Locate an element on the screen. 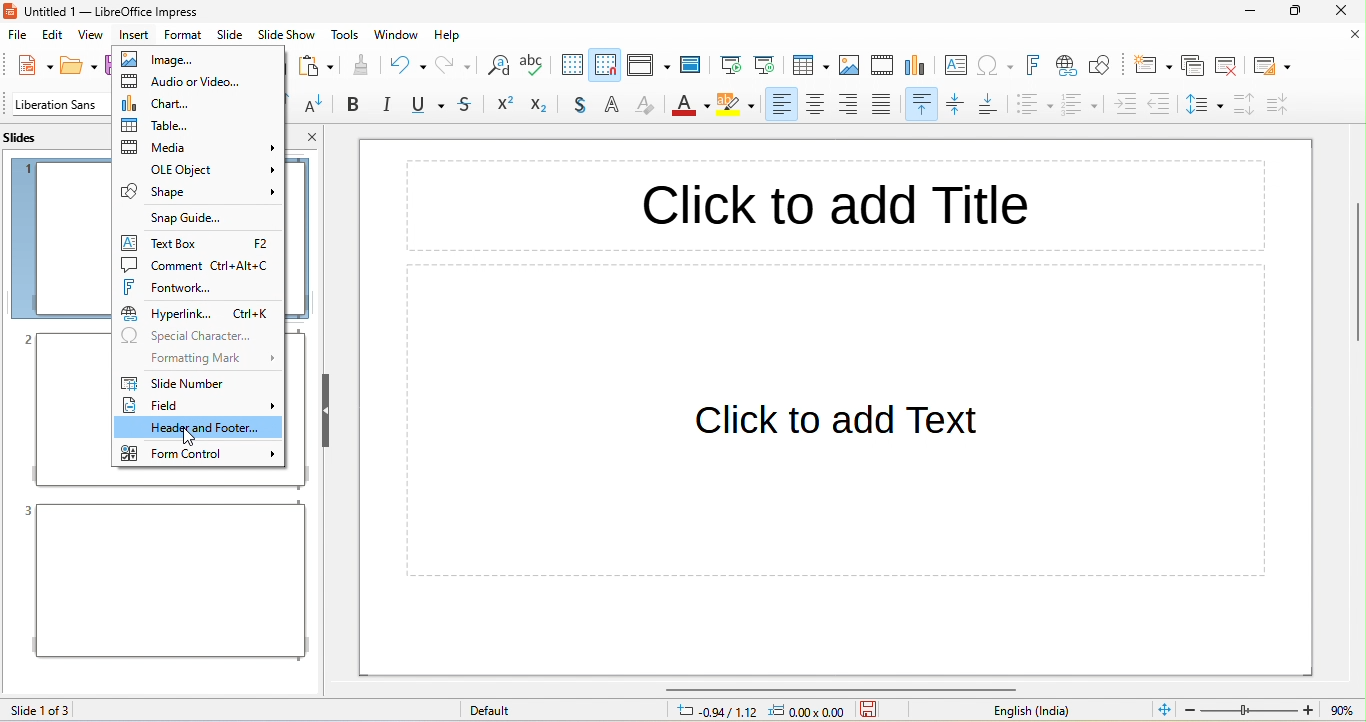 This screenshot has height=722, width=1366. show draw function is located at coordinates (1104, 66).